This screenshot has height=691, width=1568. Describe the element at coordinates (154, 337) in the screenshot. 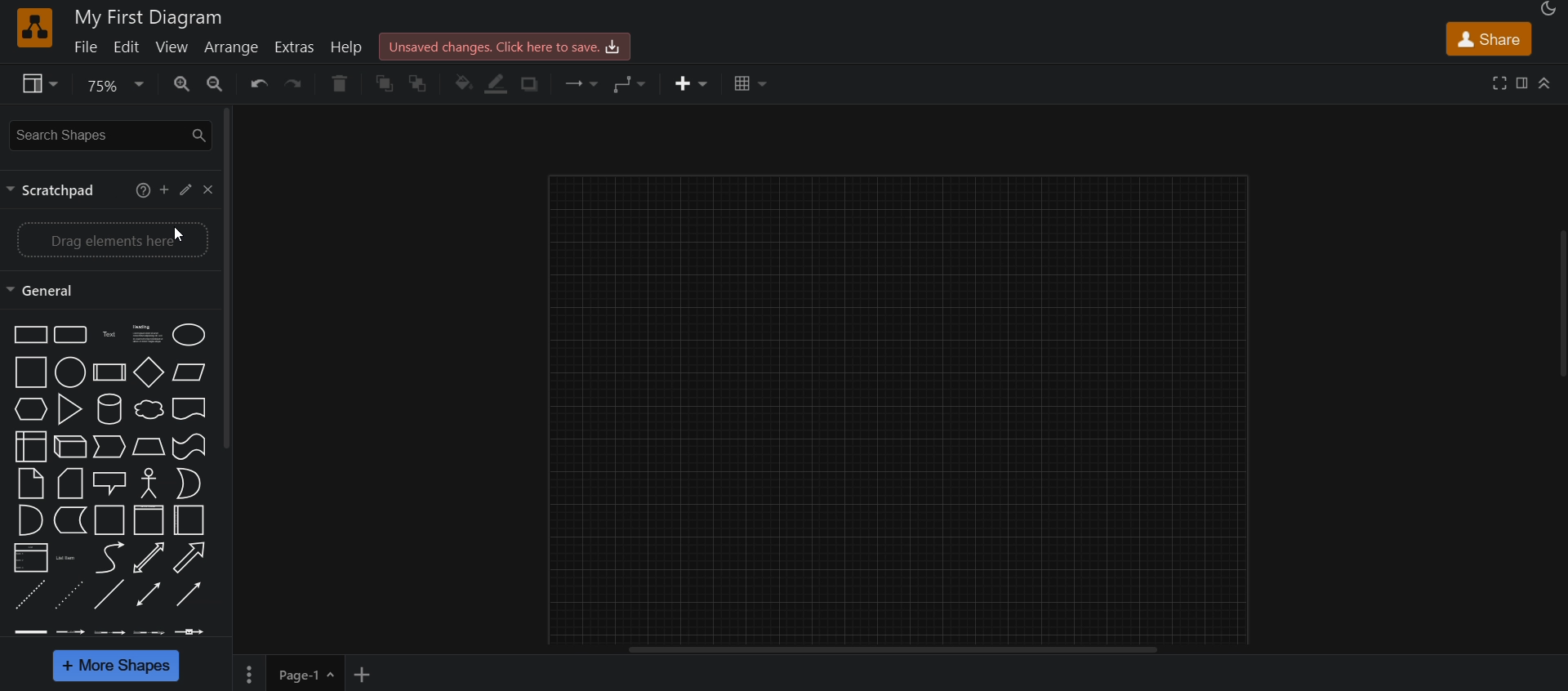

I see `150%` at that location.